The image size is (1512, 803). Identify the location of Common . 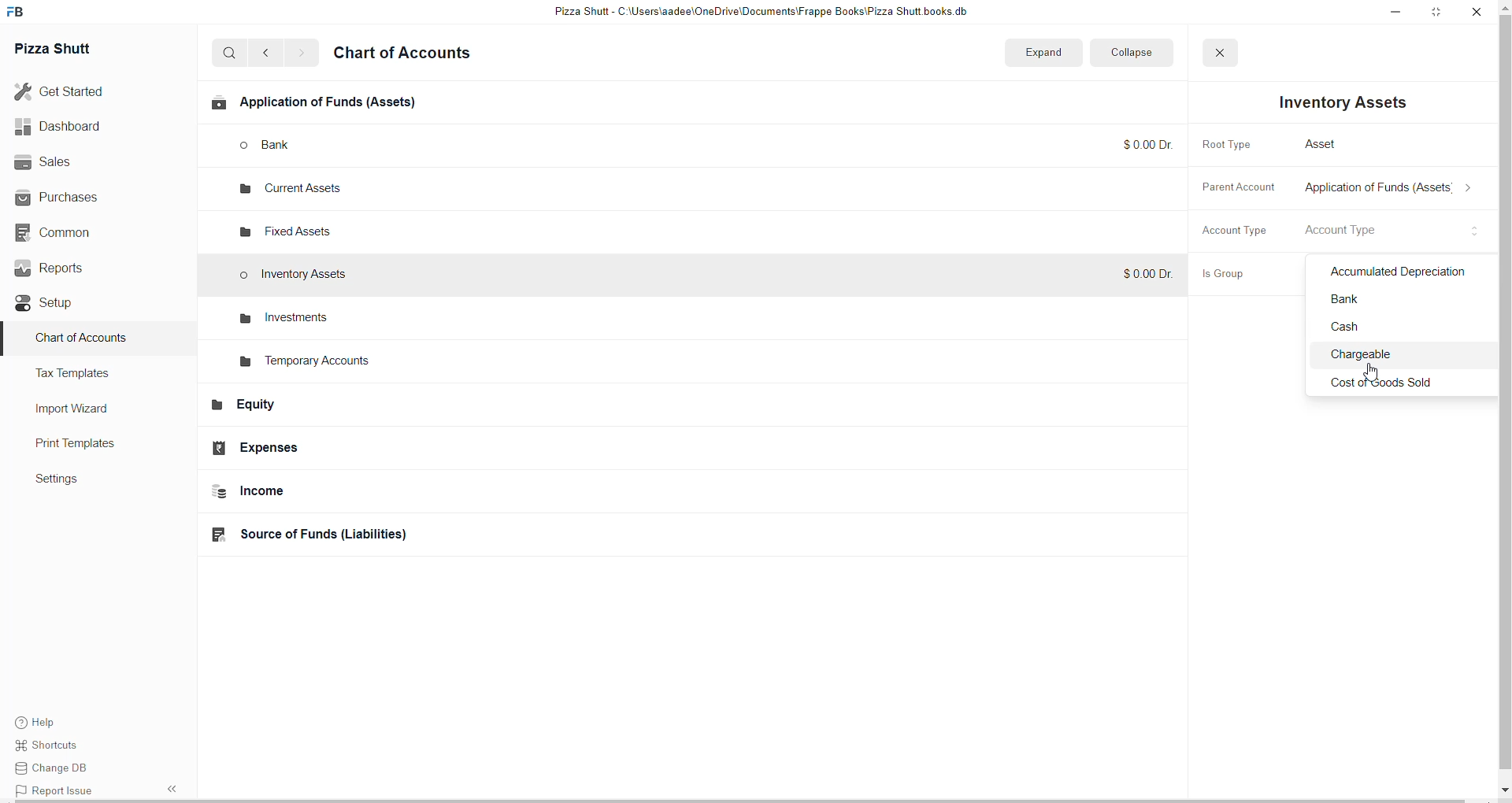
(67, 232).